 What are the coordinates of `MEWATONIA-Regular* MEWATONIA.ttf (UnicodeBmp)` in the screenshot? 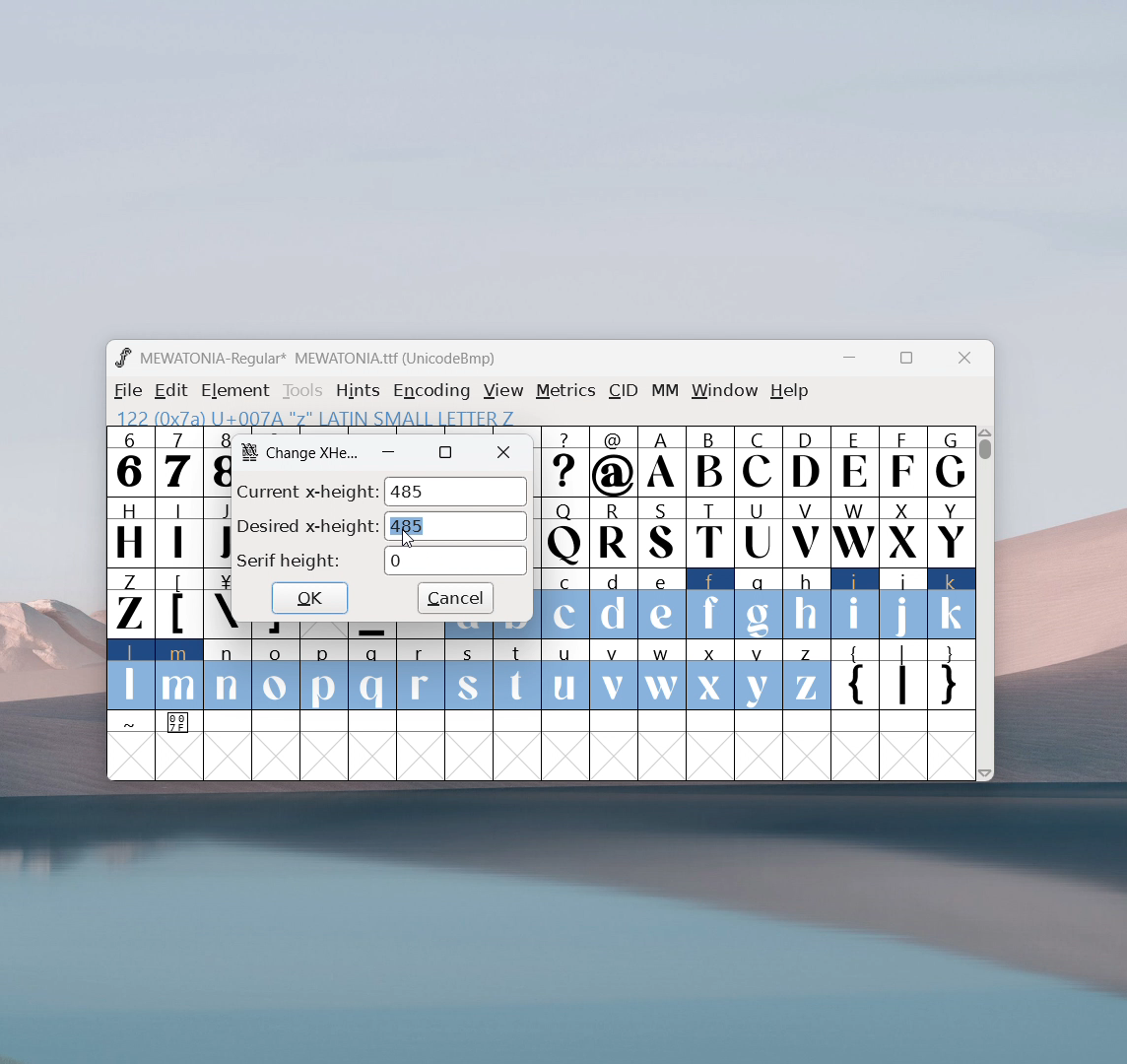 It's located at (321, 359).